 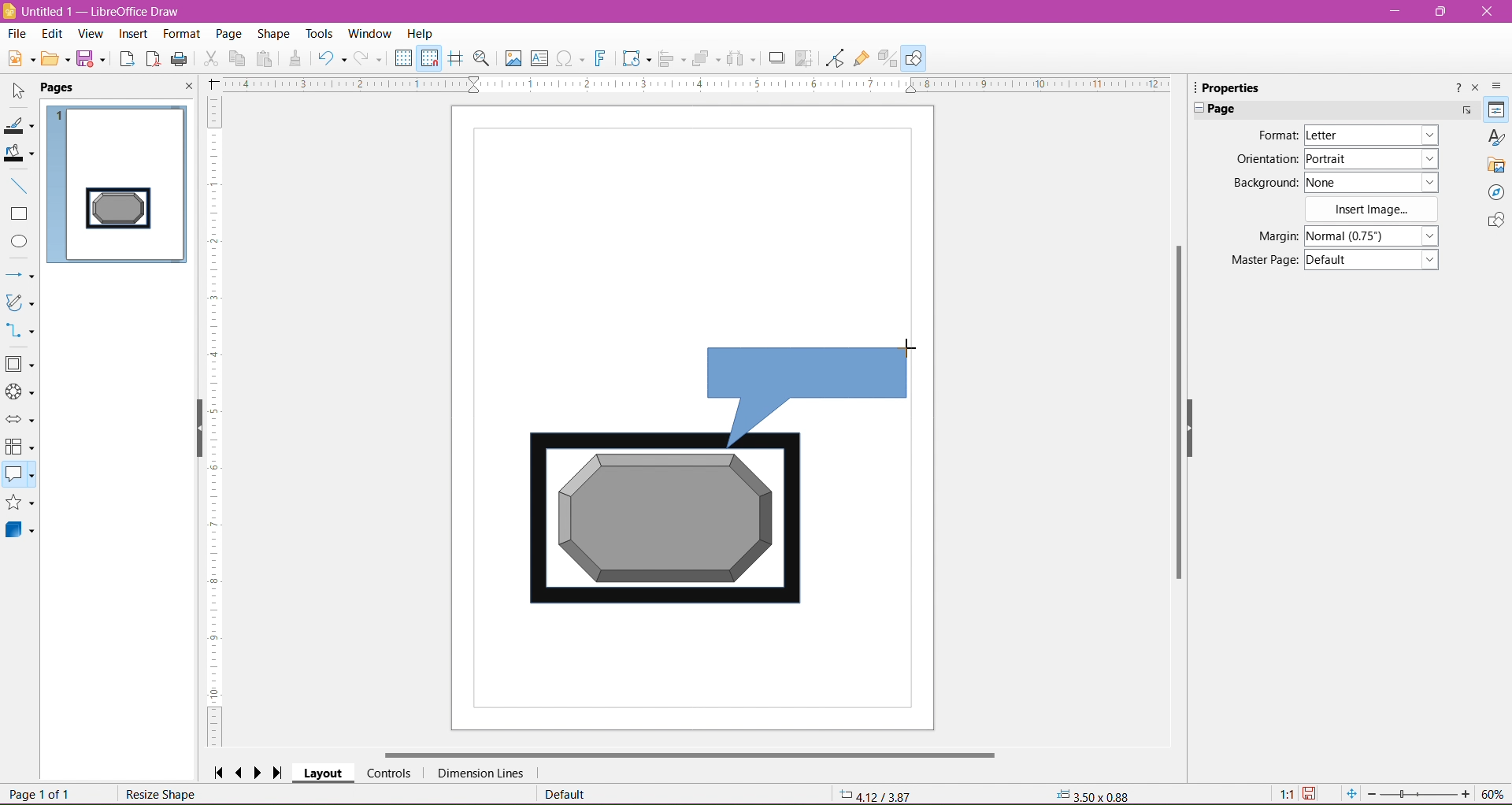 What do you see at coordinates (18, 57) in the screenshot?
I see `New` at bounding box center [18, 57].